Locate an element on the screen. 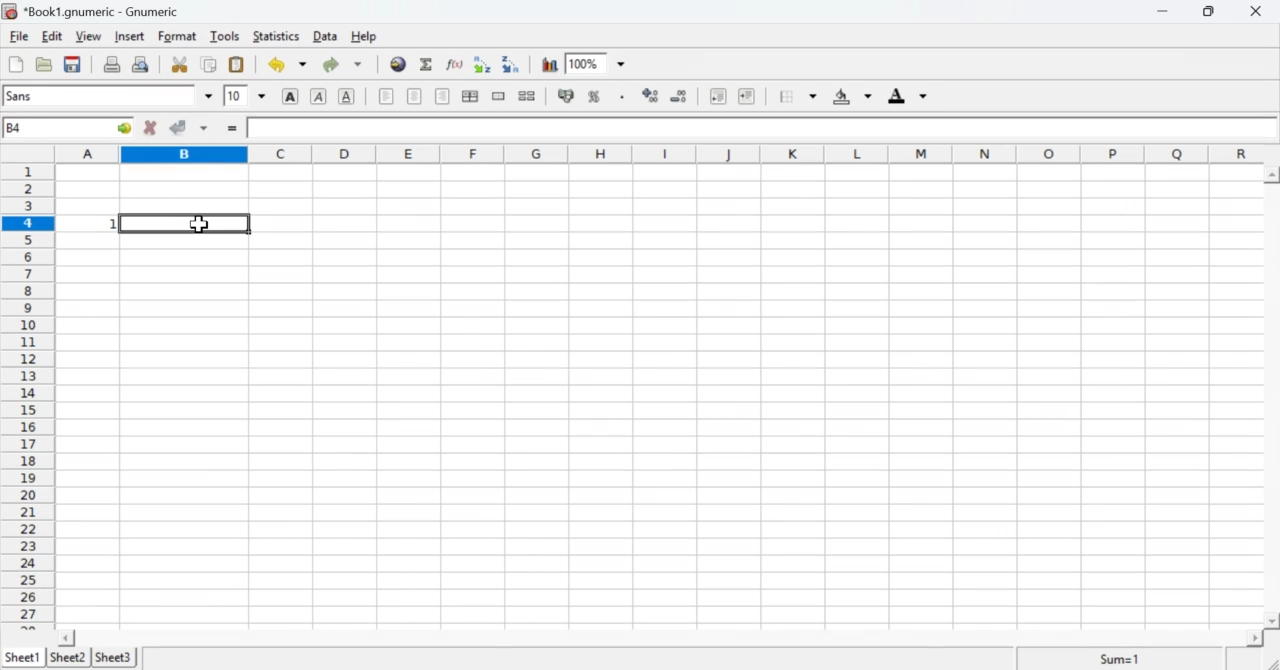 The height and width of the screenshot is (670, 1280). Format the selection as accounting is located at coordinates (566, 96).